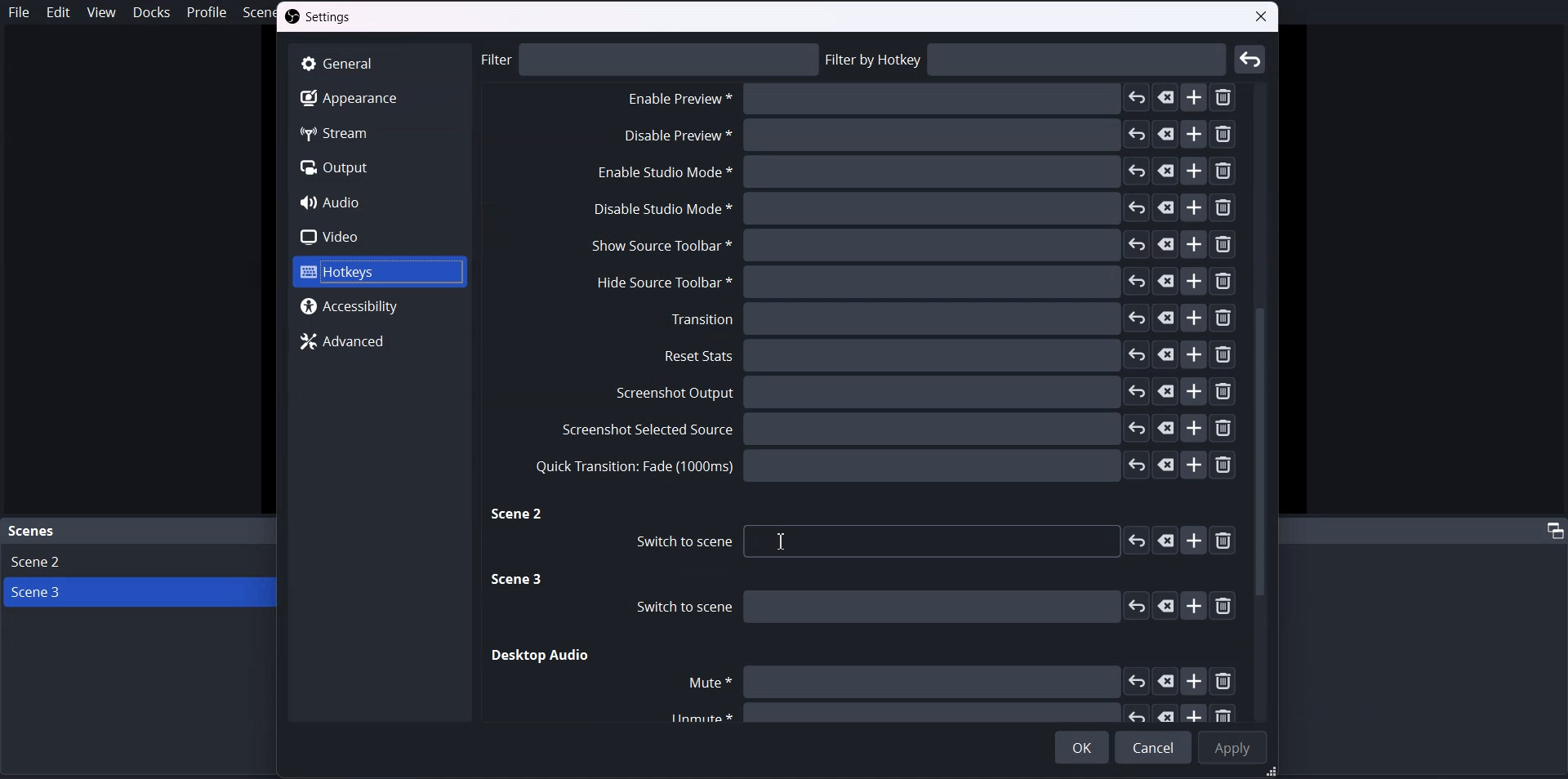 The width and height of the screenshot is (1568, 779). Describe the element at coordinates (1251, 59) in the screenshot. I see `Enter` at that location.